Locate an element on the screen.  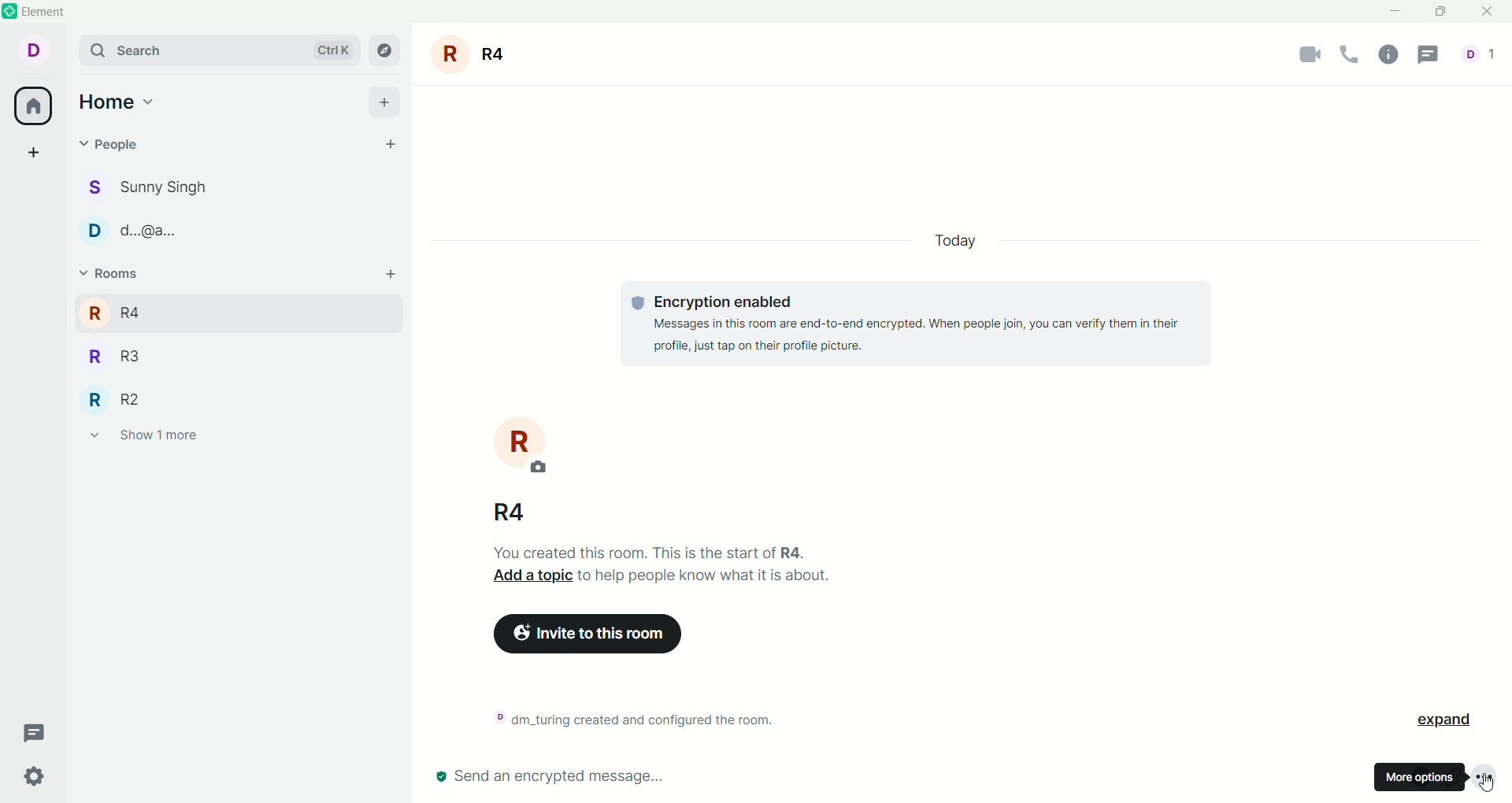
settings is located at coordinates (35, 777).